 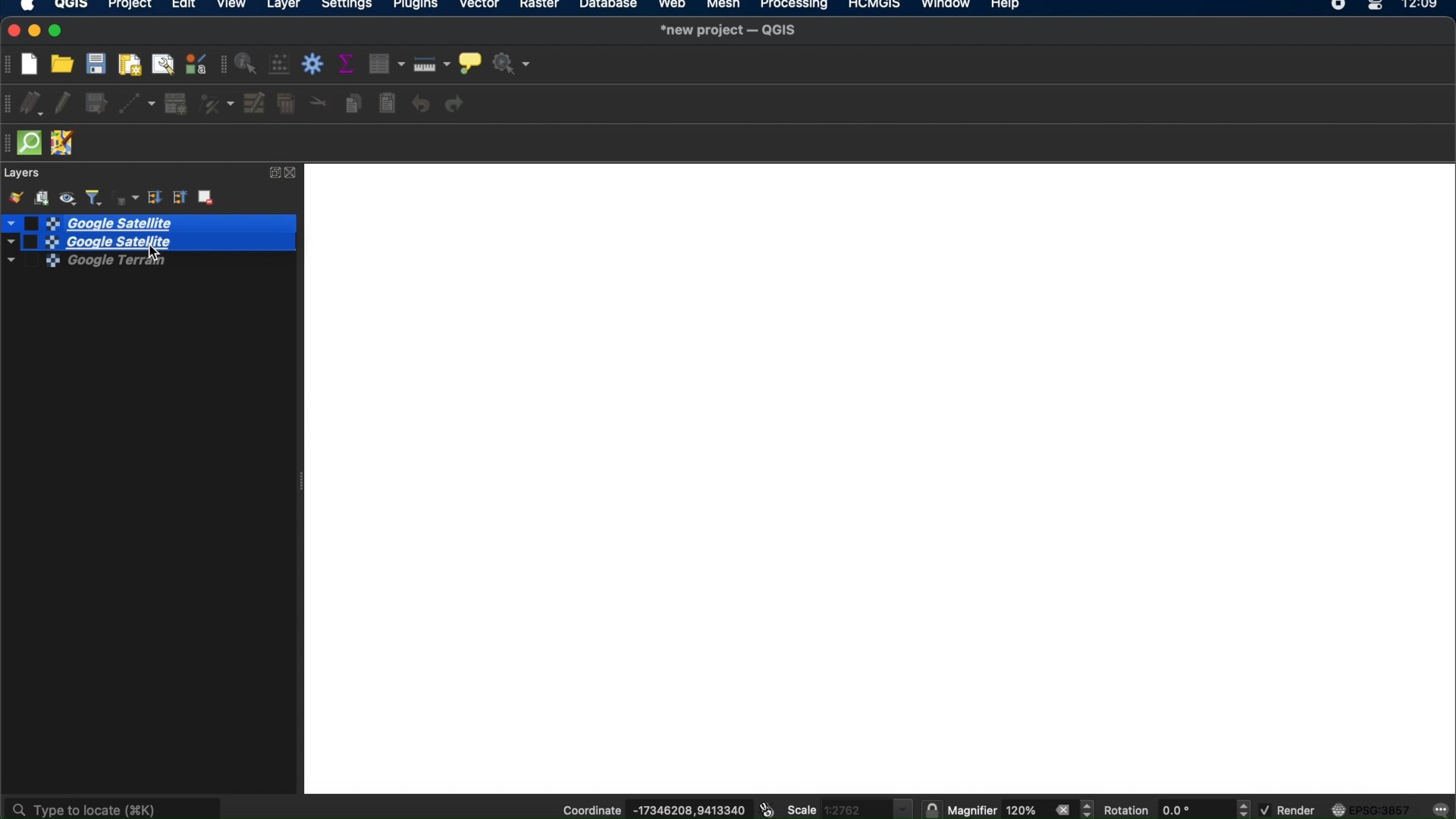 What do you see at coordinates (195, 64) in the screenshot?
I see `style manager` at bounding box center [195, 64].